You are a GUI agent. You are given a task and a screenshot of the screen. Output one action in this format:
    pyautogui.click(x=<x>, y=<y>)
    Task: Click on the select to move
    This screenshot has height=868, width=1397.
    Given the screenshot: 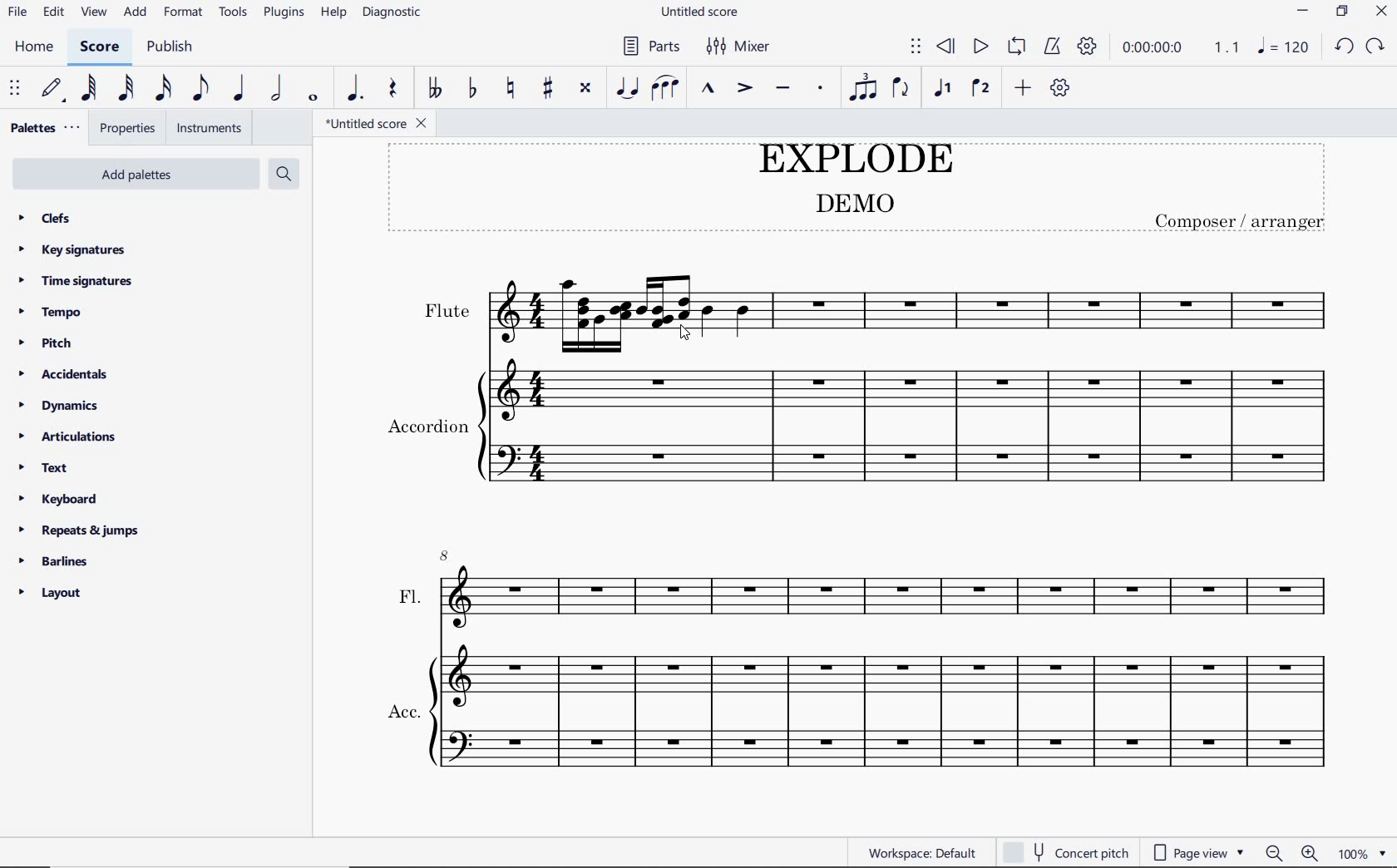 What is the action you would take?
    pyautogui.click(x=14, y=91)
    